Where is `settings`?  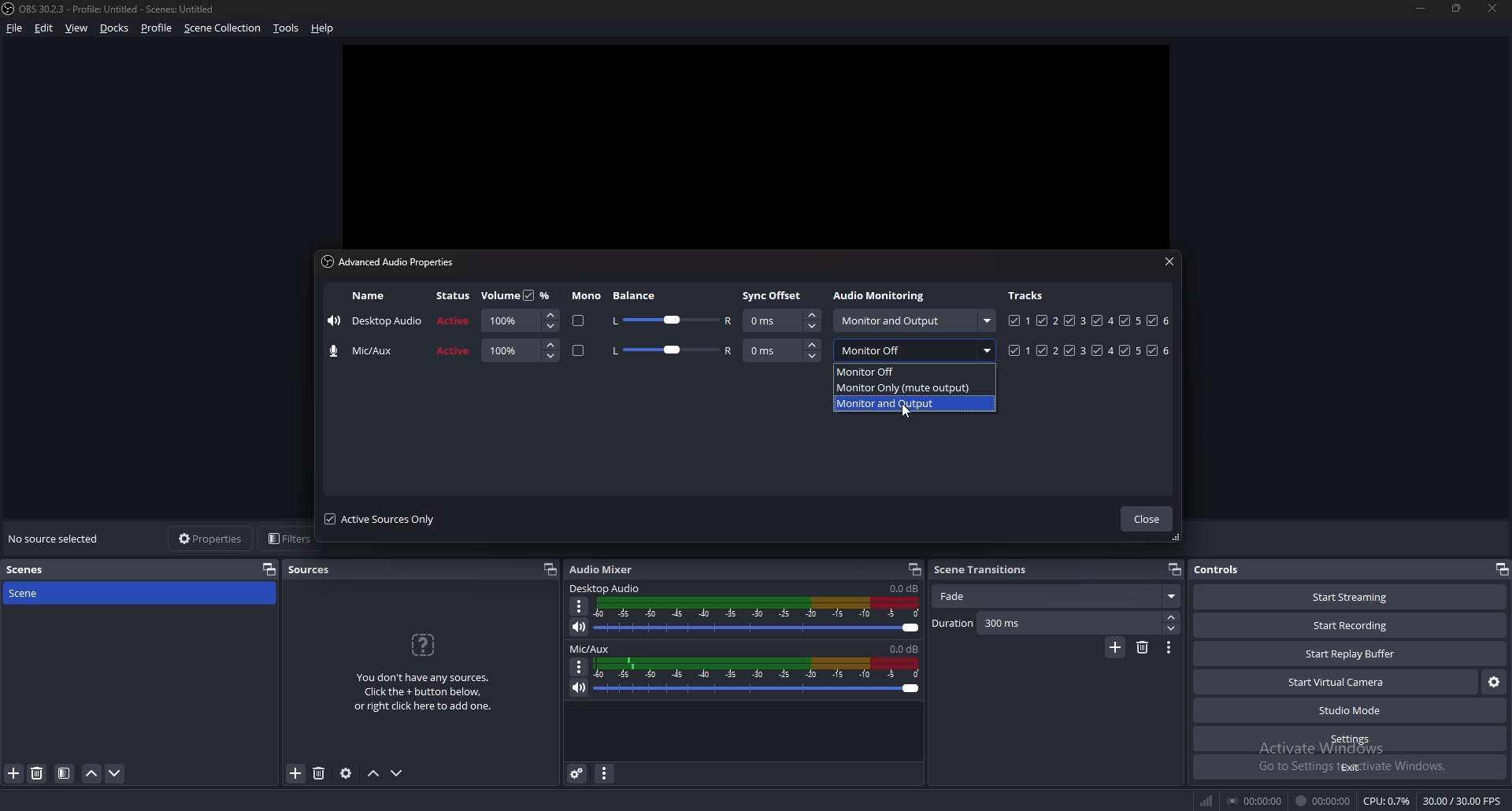
settings is located at coordinates (1349, 739).